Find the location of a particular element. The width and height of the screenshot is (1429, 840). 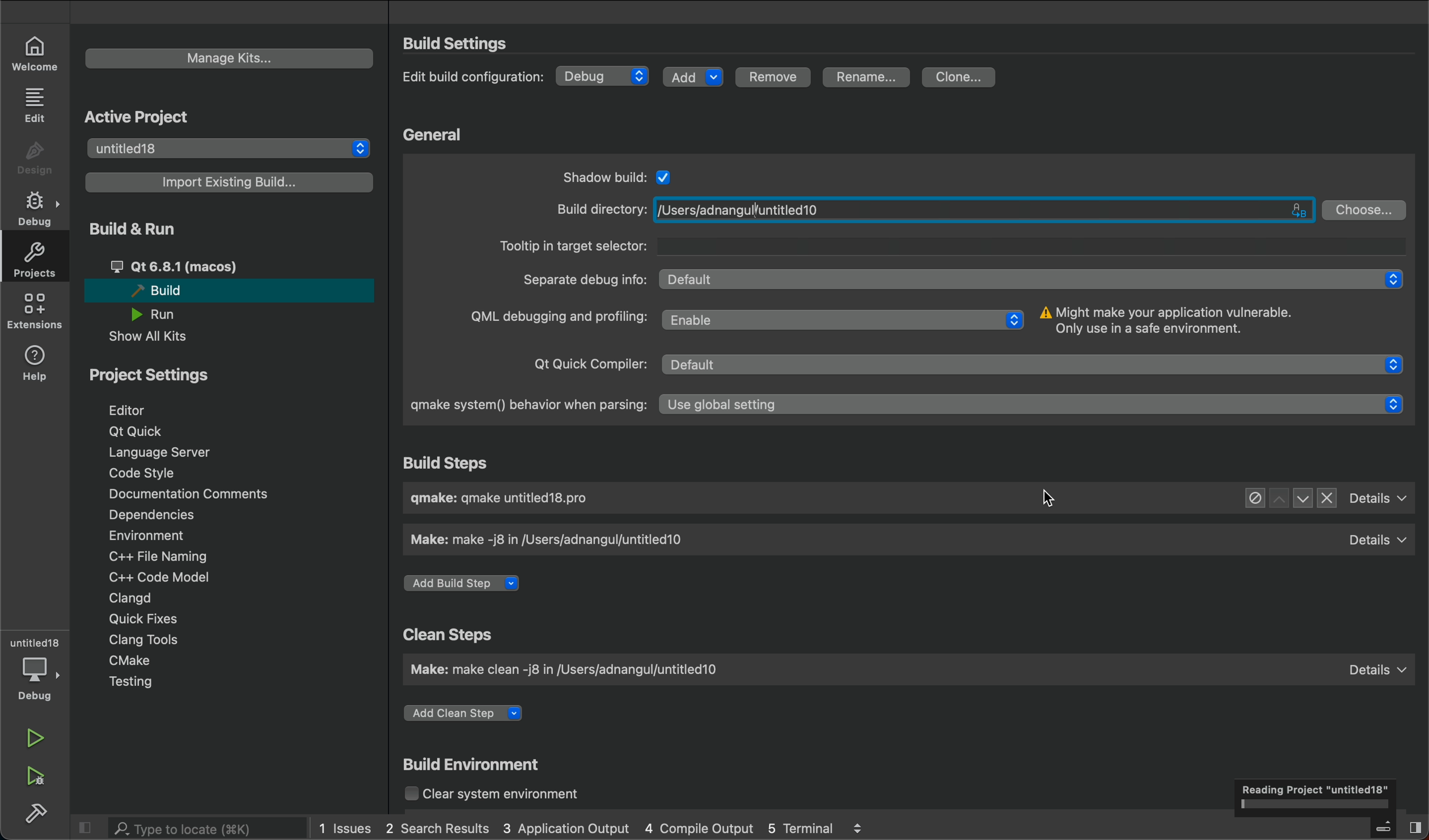

dependencies is located at coordinates (158, 515).